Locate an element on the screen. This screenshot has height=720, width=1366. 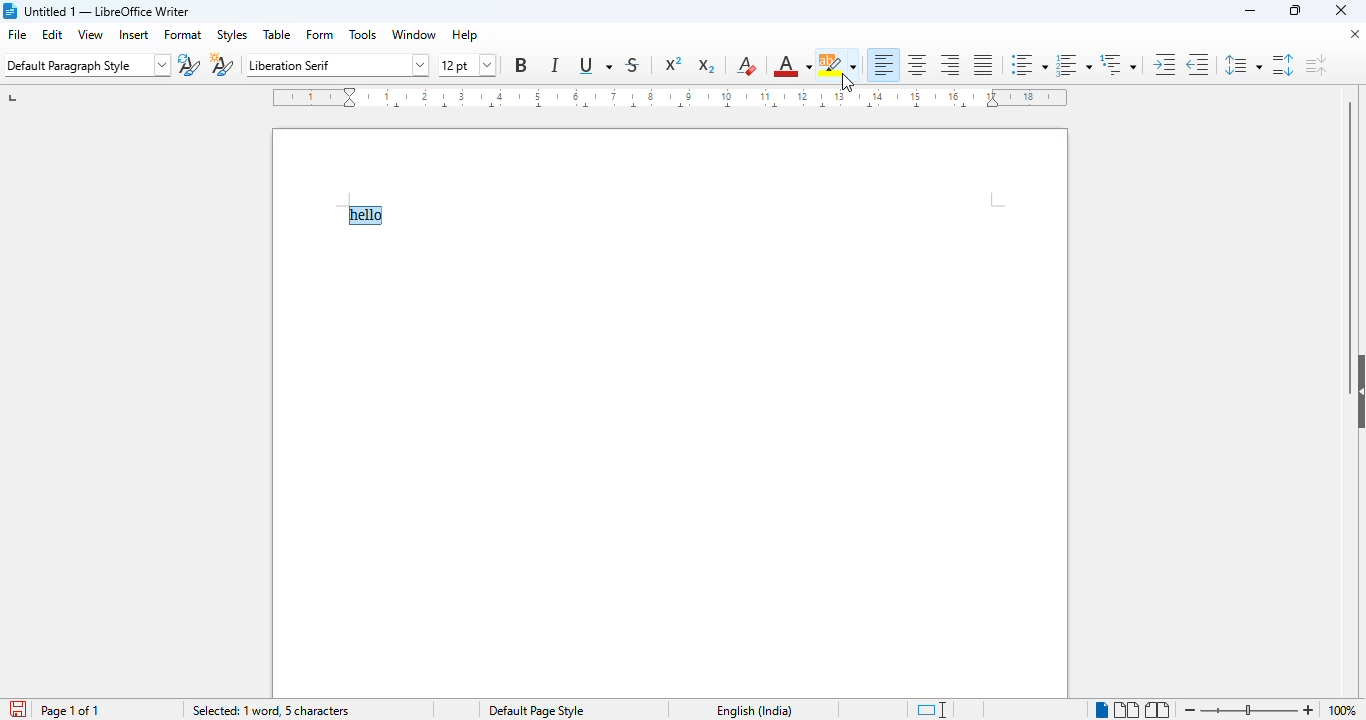
dropdown is located at coordinates (487, 65).